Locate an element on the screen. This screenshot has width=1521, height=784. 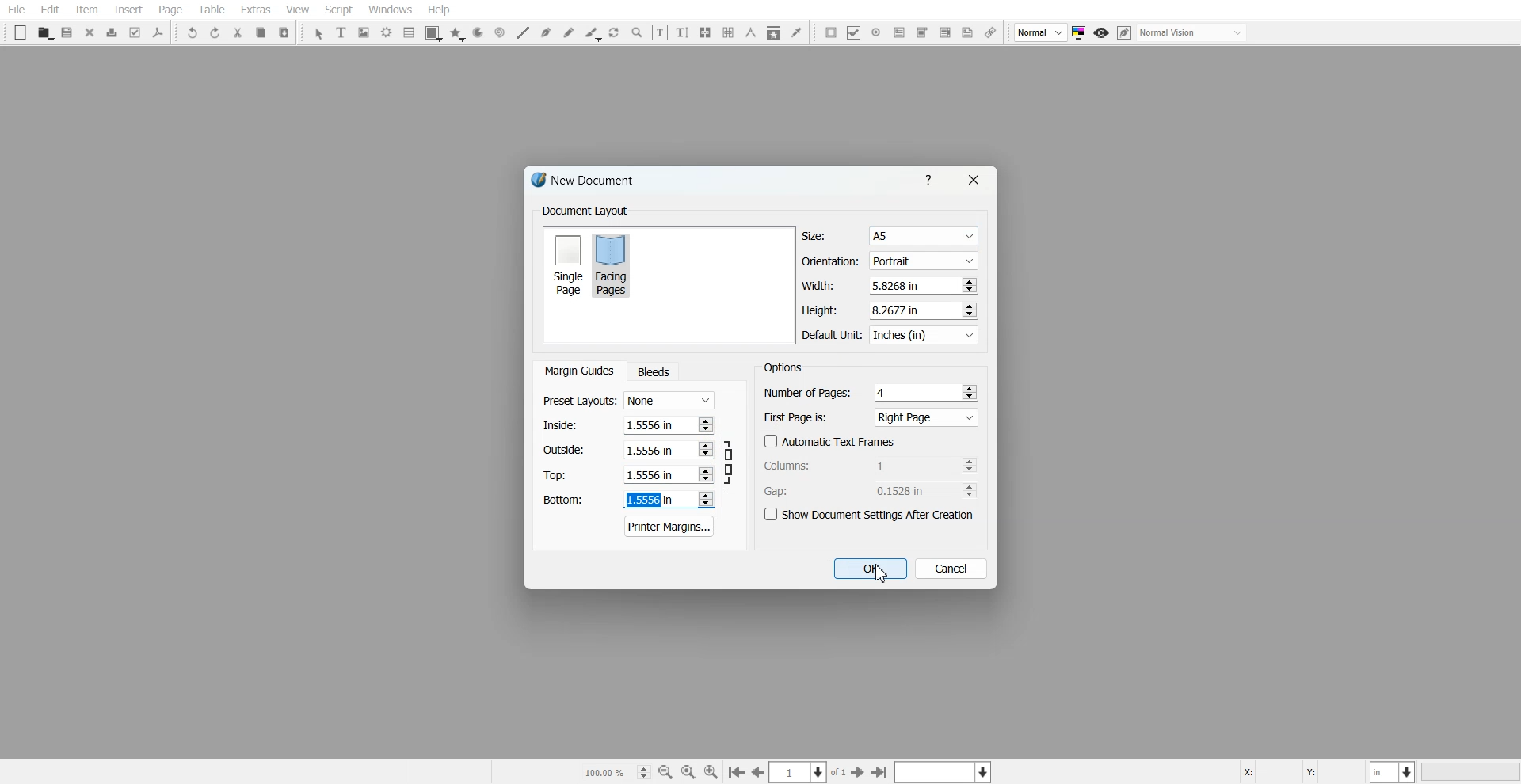
Text is located at coordinates (585, 211).